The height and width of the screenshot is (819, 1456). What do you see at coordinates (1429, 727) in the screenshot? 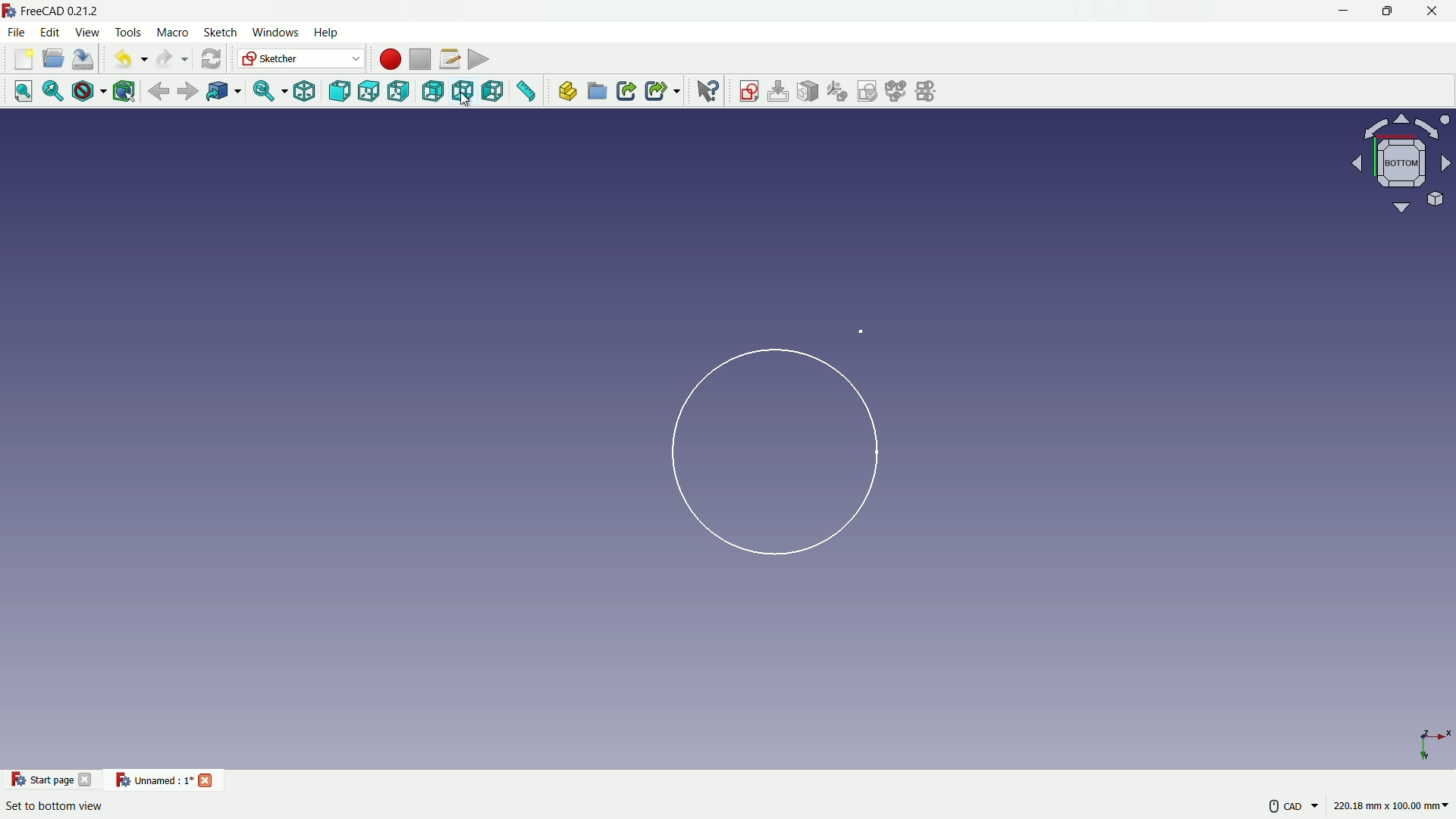
I see `tourus` at bounding box center [1429, 727].